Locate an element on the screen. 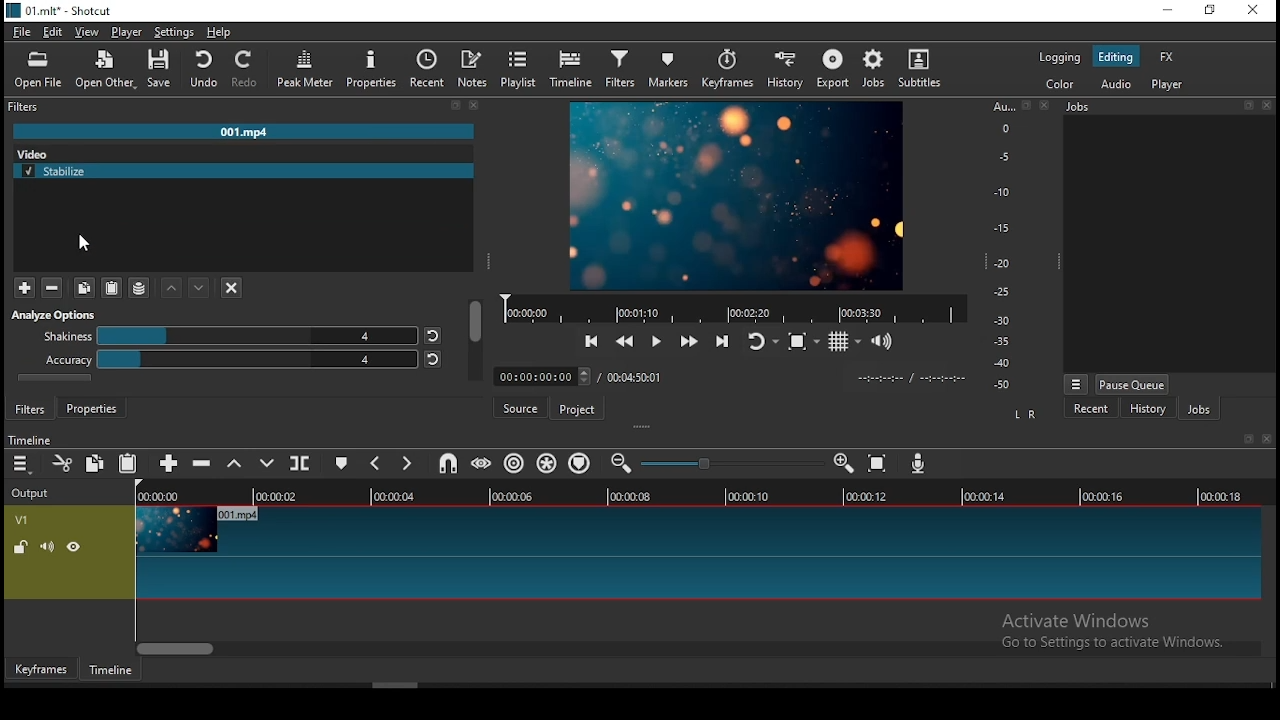 Image resolution: width=1280 pixels, height=720 pixels. video is located at coordinates (35, 153).